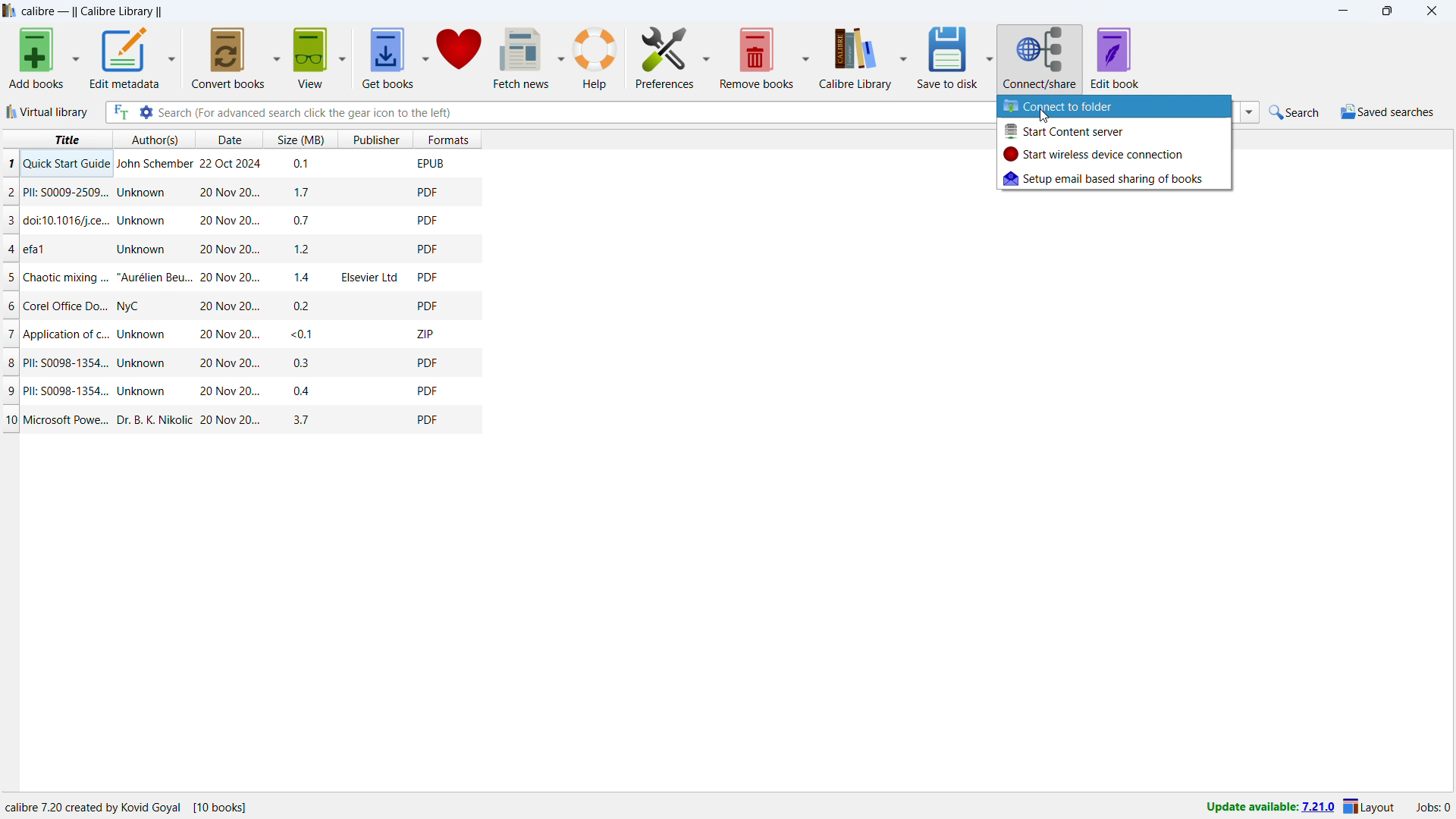 Image resolution: width=1456 pixels, height=819 pixels. Describe the element at coordinates (1113, 155) in the screenshot. I see `start wireless device connection` at that location.